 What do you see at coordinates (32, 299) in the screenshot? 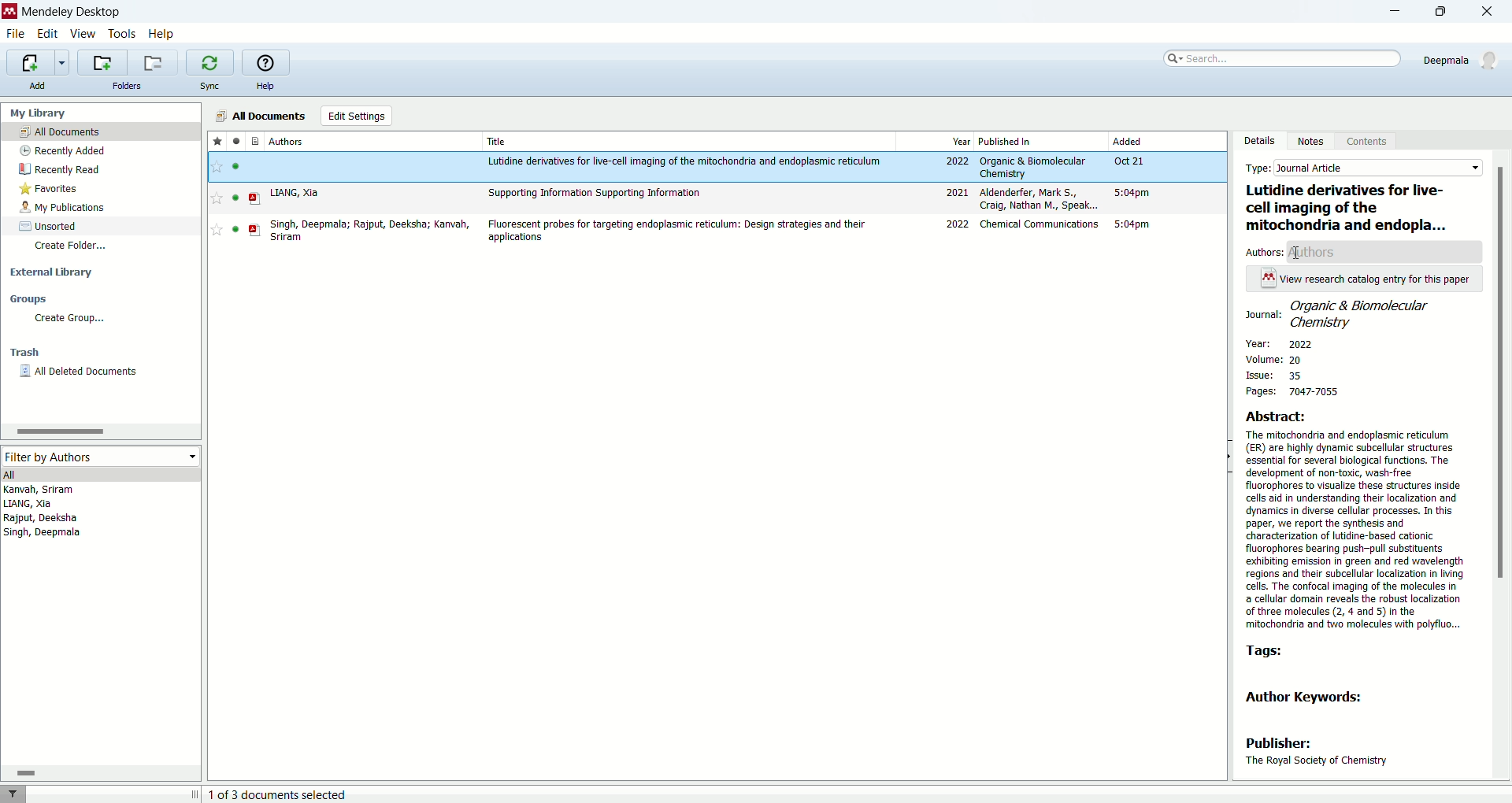
I see `groups` at bounding box center [32, 299].